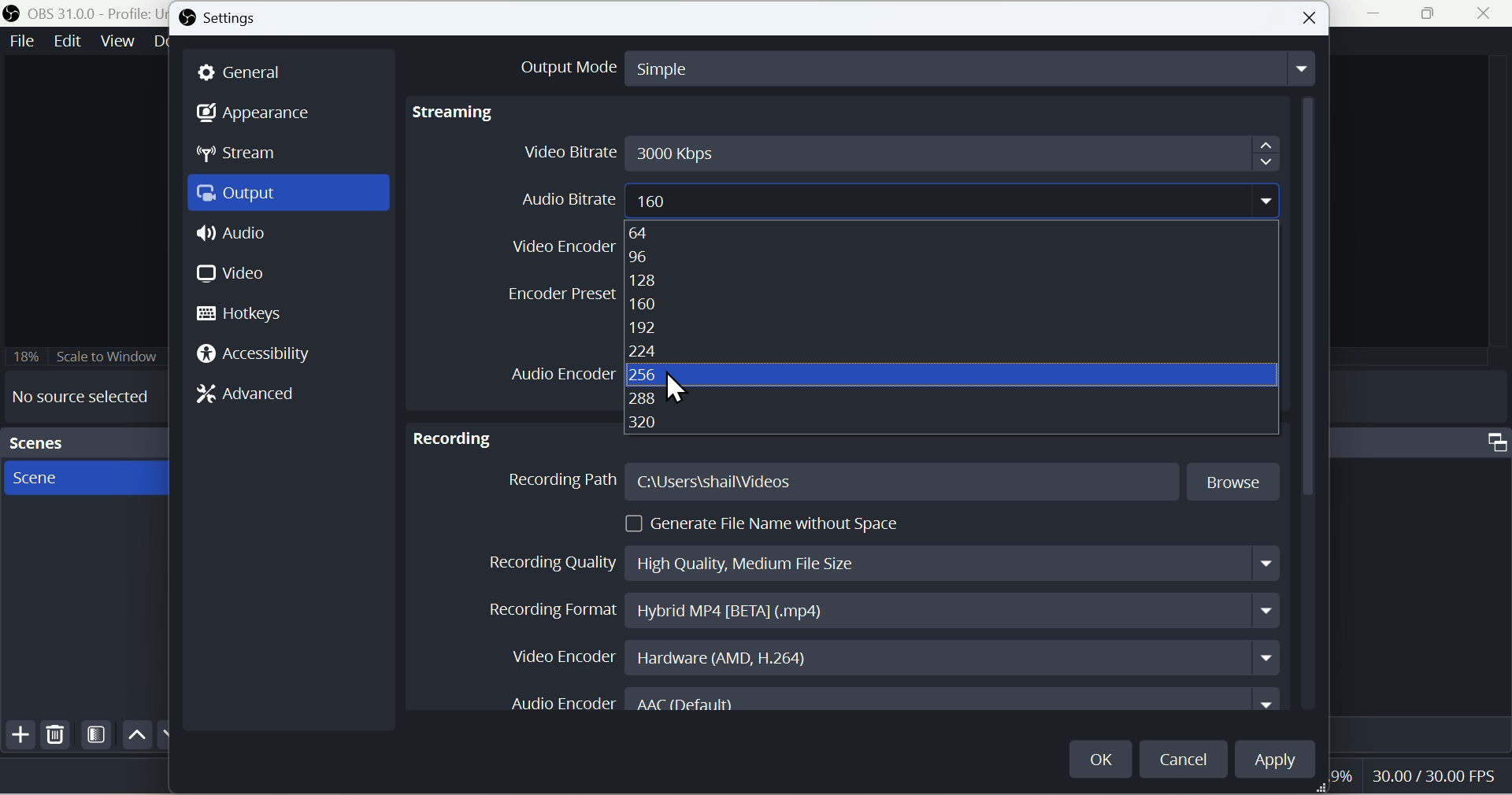 This screenshot has width=1512, height=795. Describe the element at coordinates (768, 523) in the screenshot. I see `Generate File Name without Space` at that location.